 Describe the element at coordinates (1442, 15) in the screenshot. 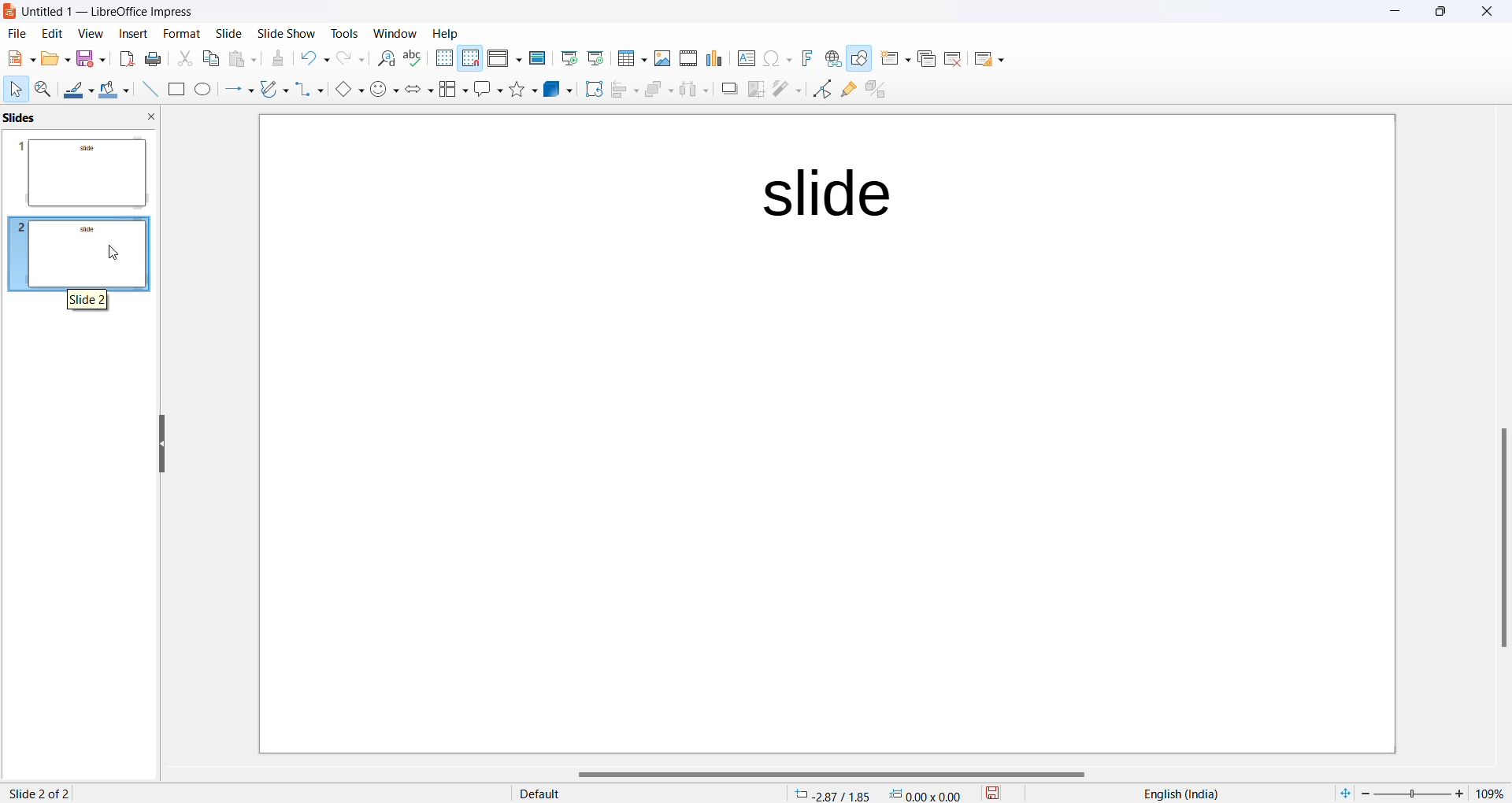

I see `maximize` at that location.